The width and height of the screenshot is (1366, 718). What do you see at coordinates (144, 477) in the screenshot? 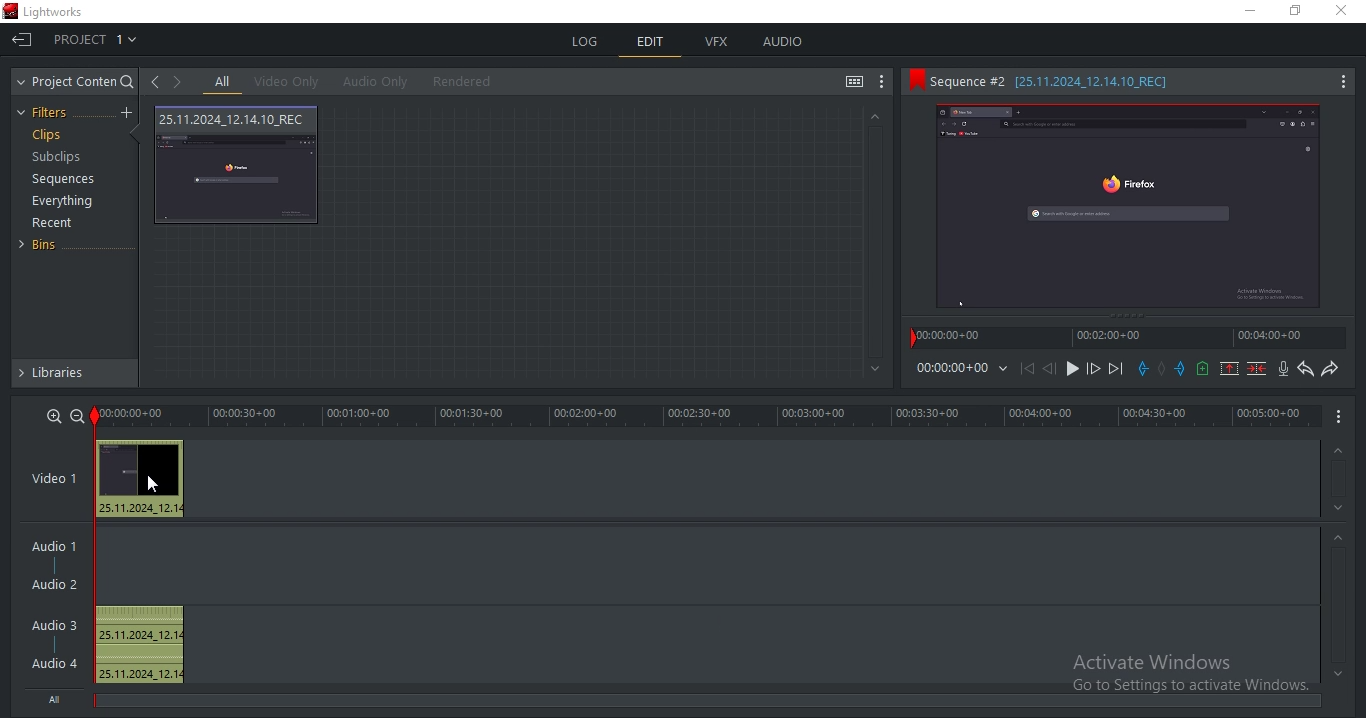
I see `audio` at bounding box center [144, 477].